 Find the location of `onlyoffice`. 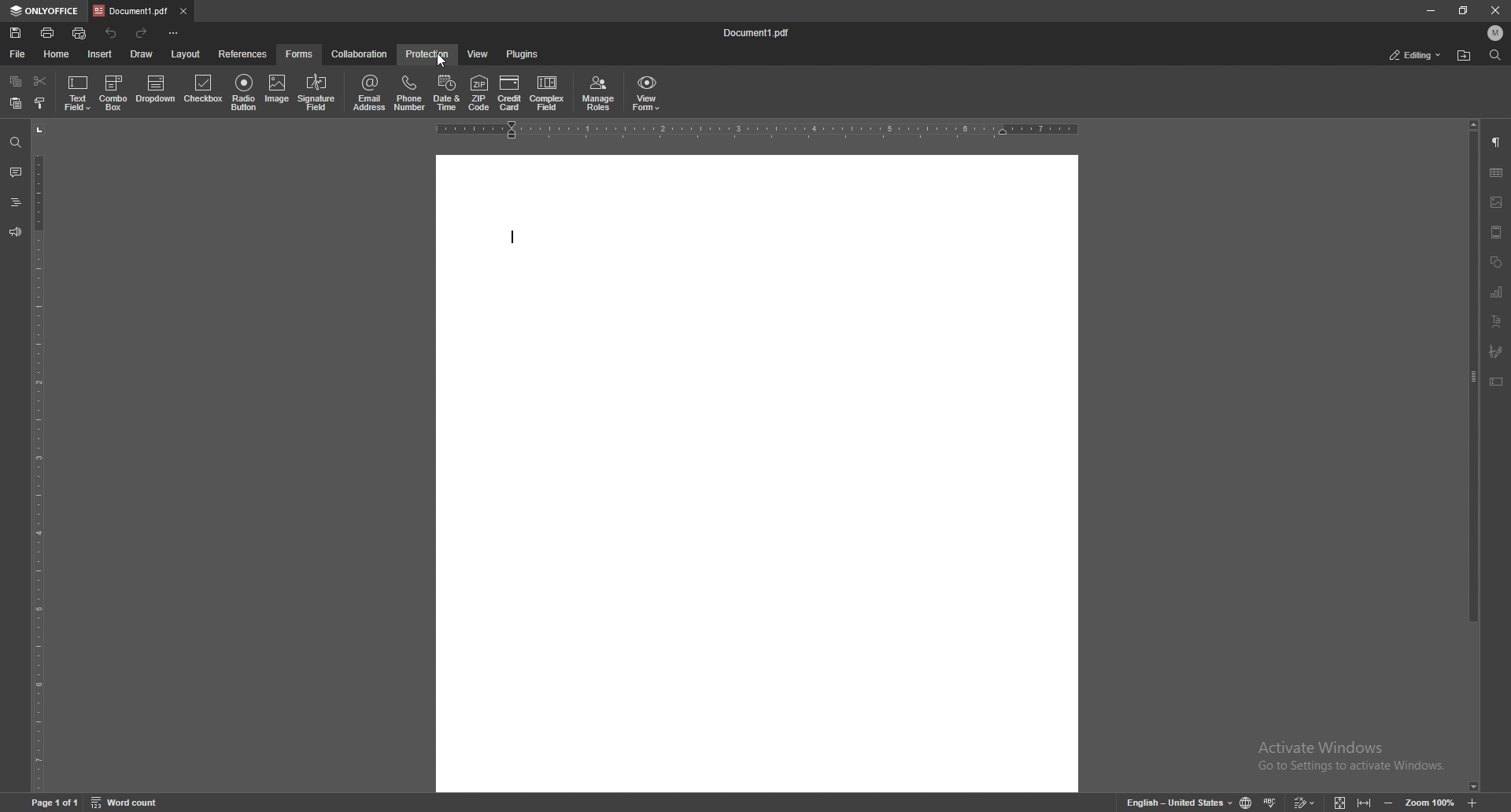

onlyoffice is located at coordinates (43, 11).